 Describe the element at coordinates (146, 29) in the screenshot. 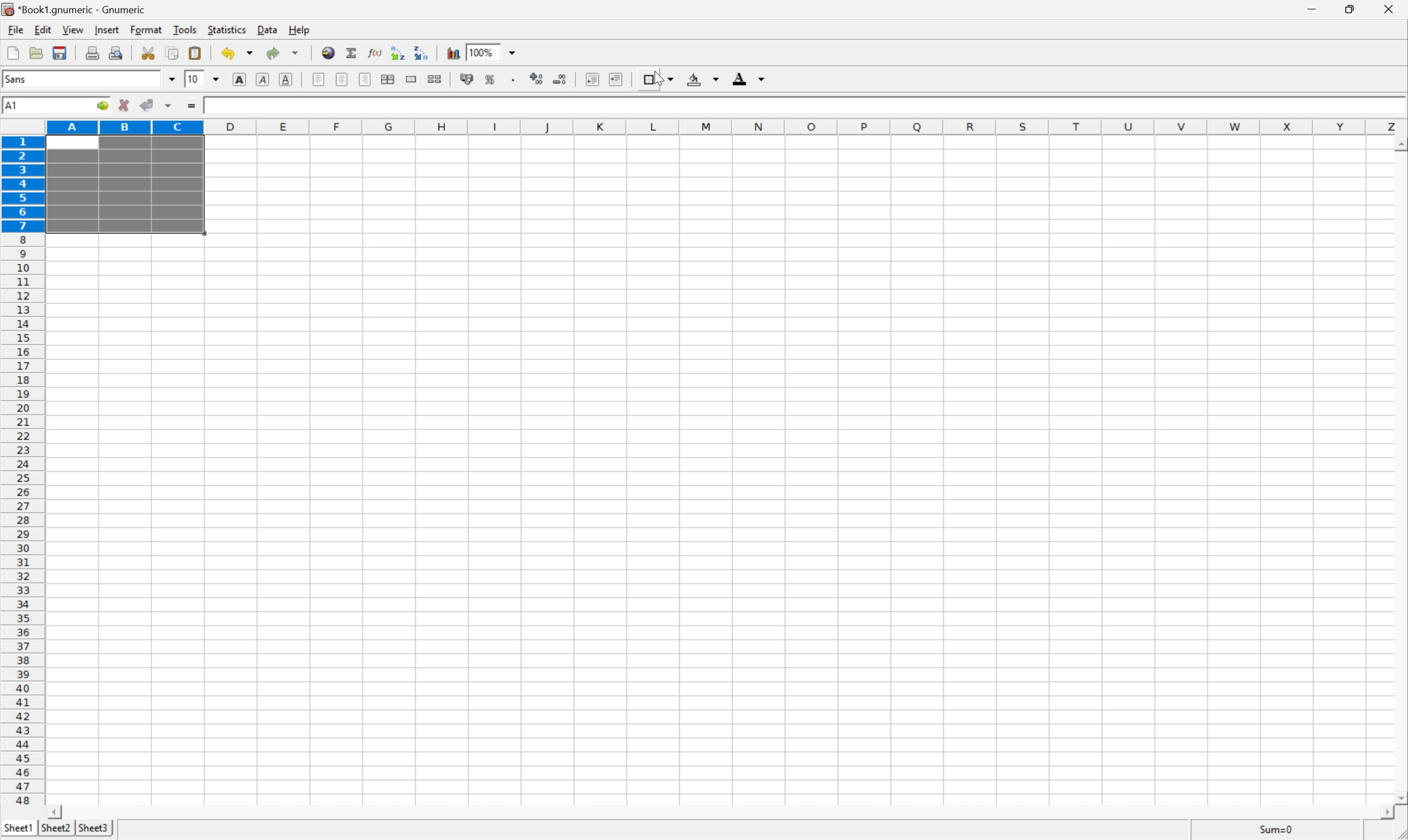

I see `format` at that location.